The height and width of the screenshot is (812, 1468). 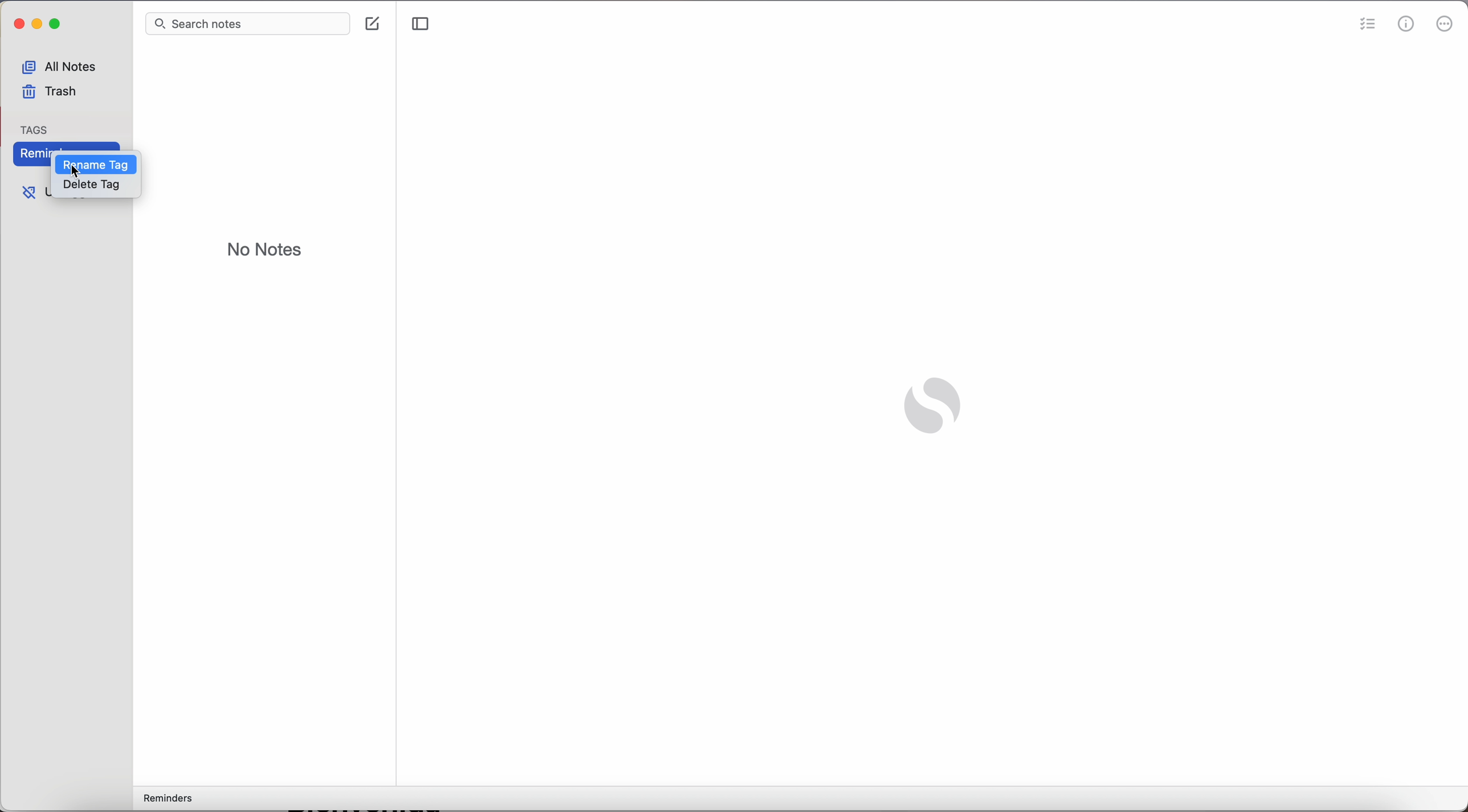 I want to click on close simplenote, so click(x=17, y=26).